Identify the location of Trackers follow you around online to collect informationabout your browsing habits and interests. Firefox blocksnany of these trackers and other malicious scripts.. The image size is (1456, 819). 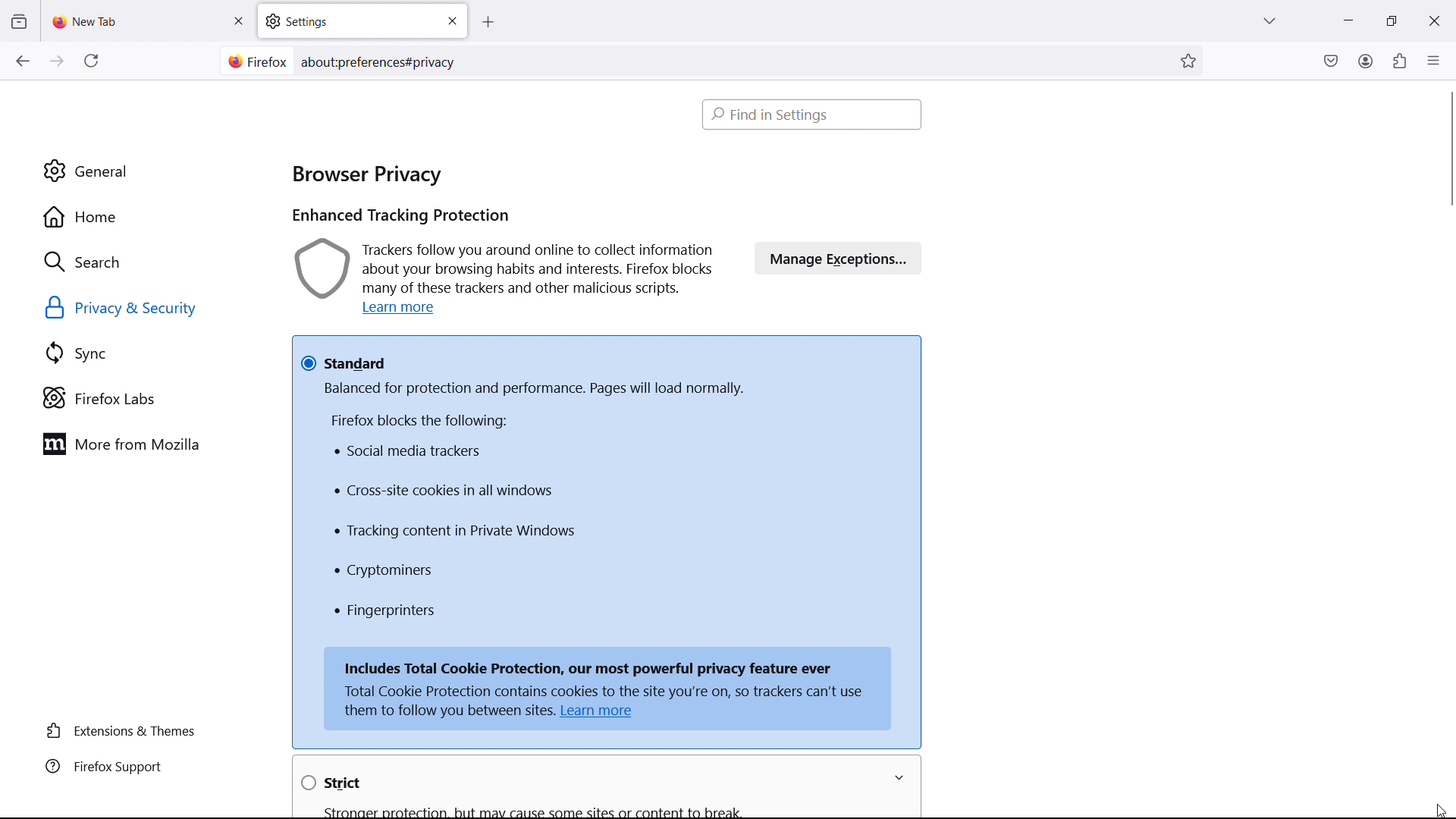
(508, 268).